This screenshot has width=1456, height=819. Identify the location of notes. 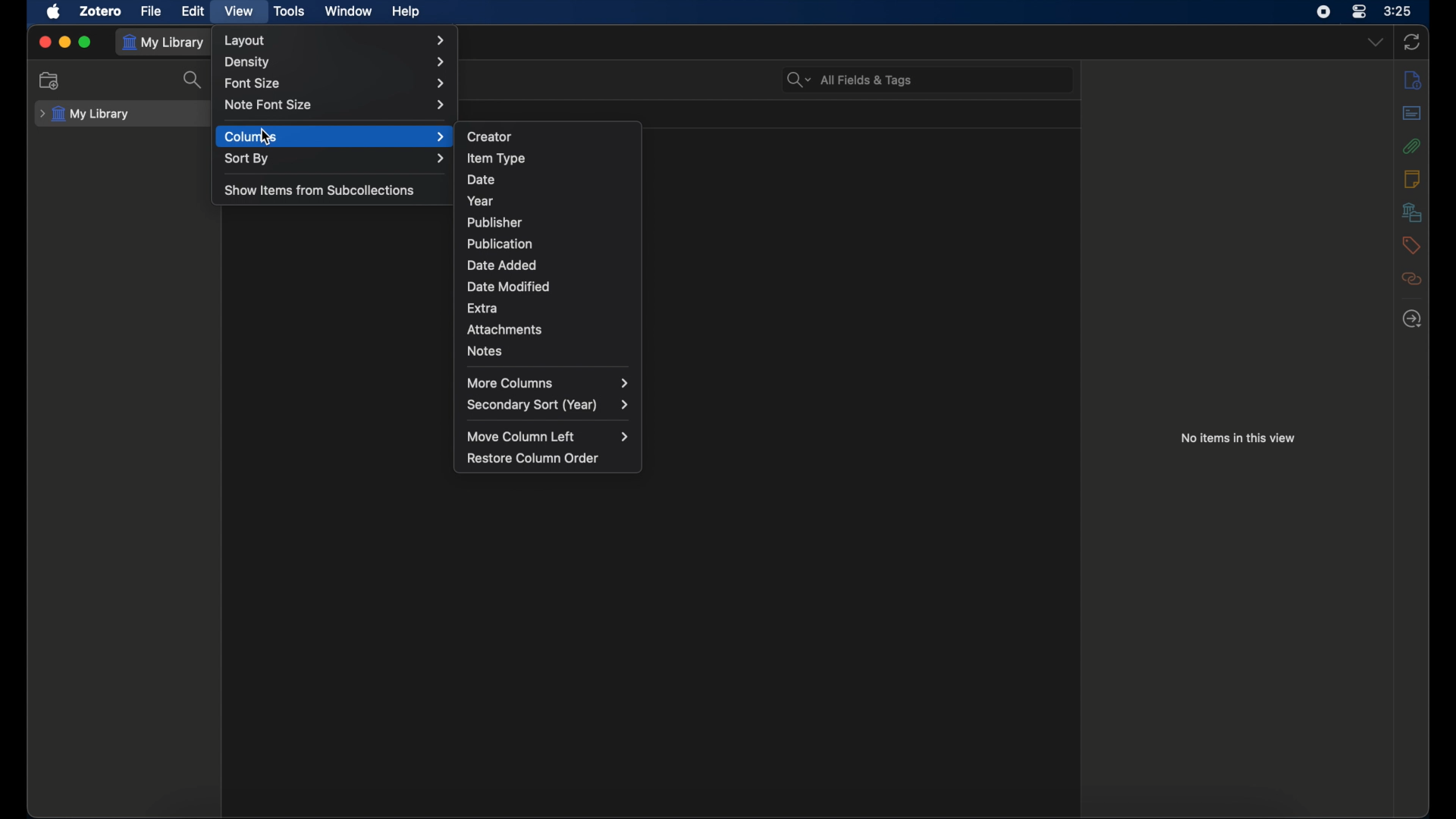
(1411, 177).